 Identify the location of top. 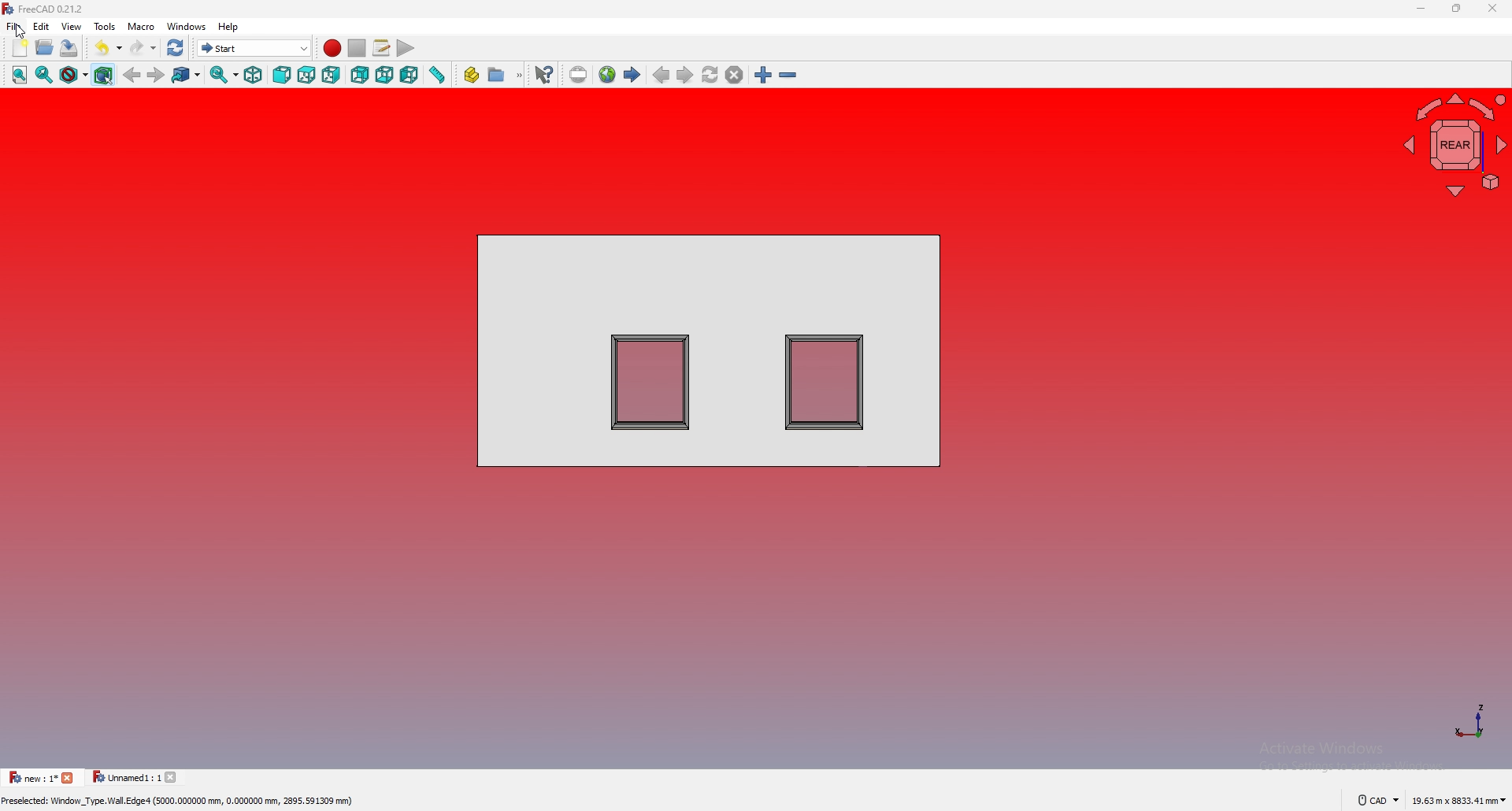
(307, 76).